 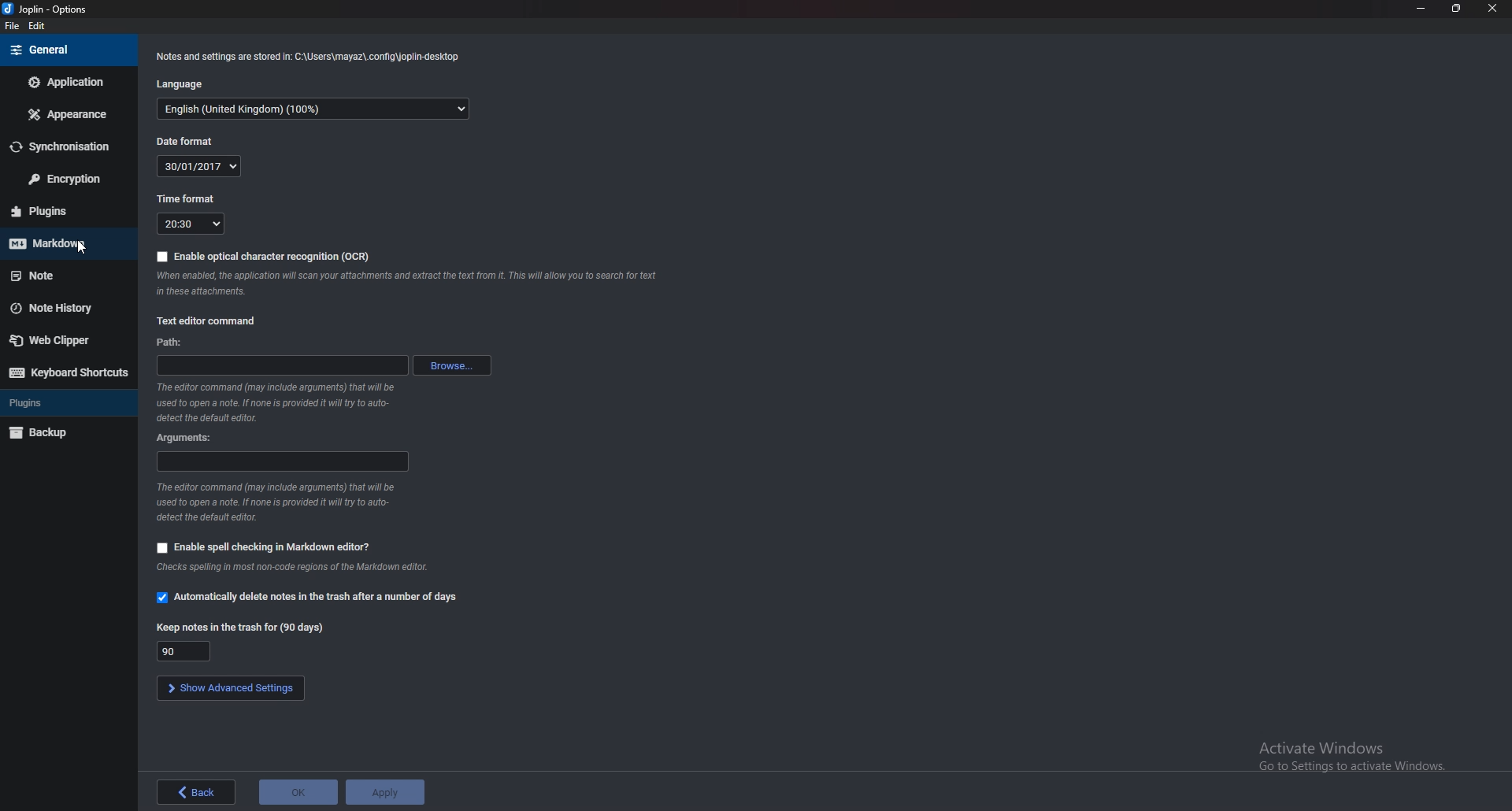 I want to click on general, so click(x=69, y=50).